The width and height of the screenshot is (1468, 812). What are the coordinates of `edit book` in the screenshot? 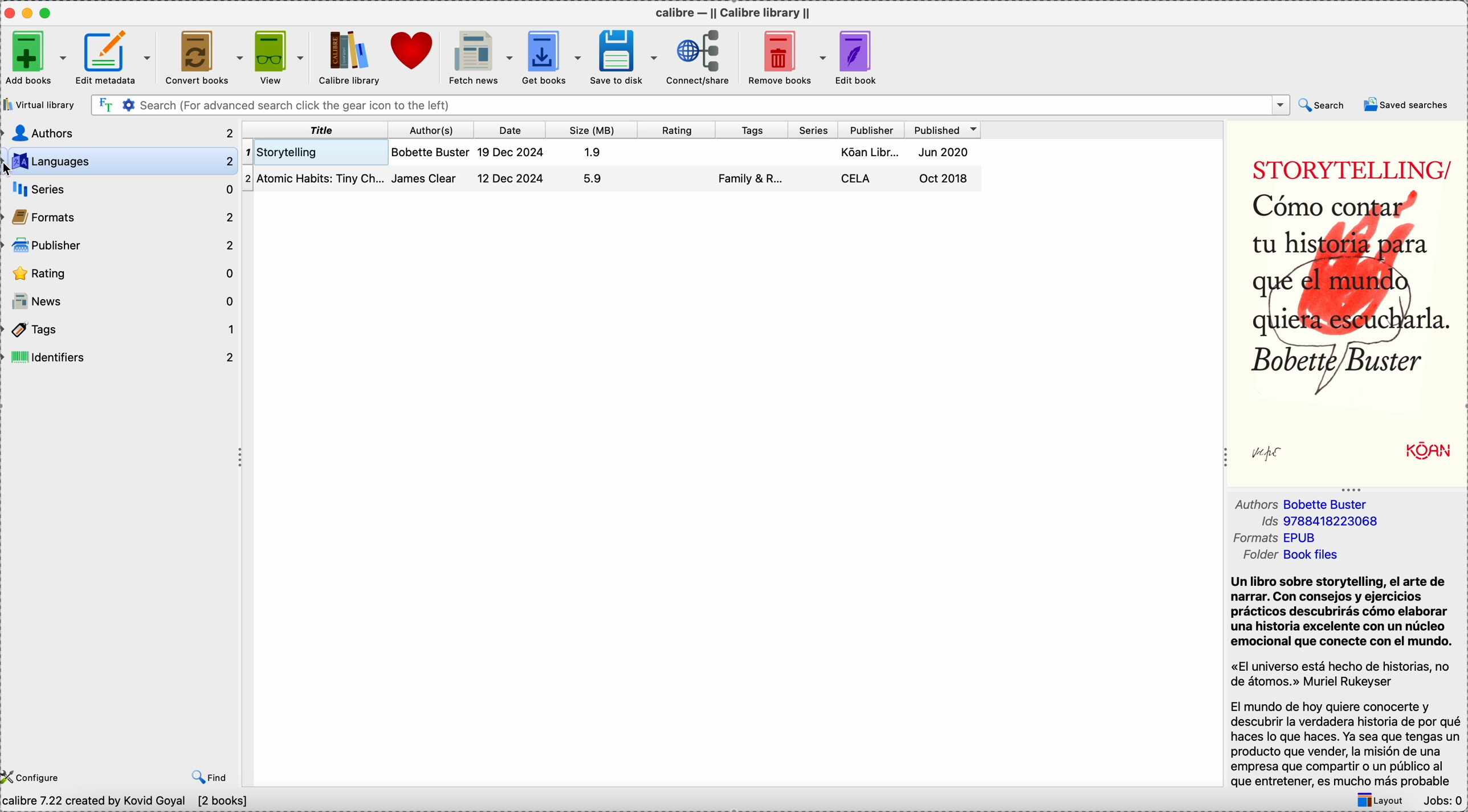 It's located at (861, 58).